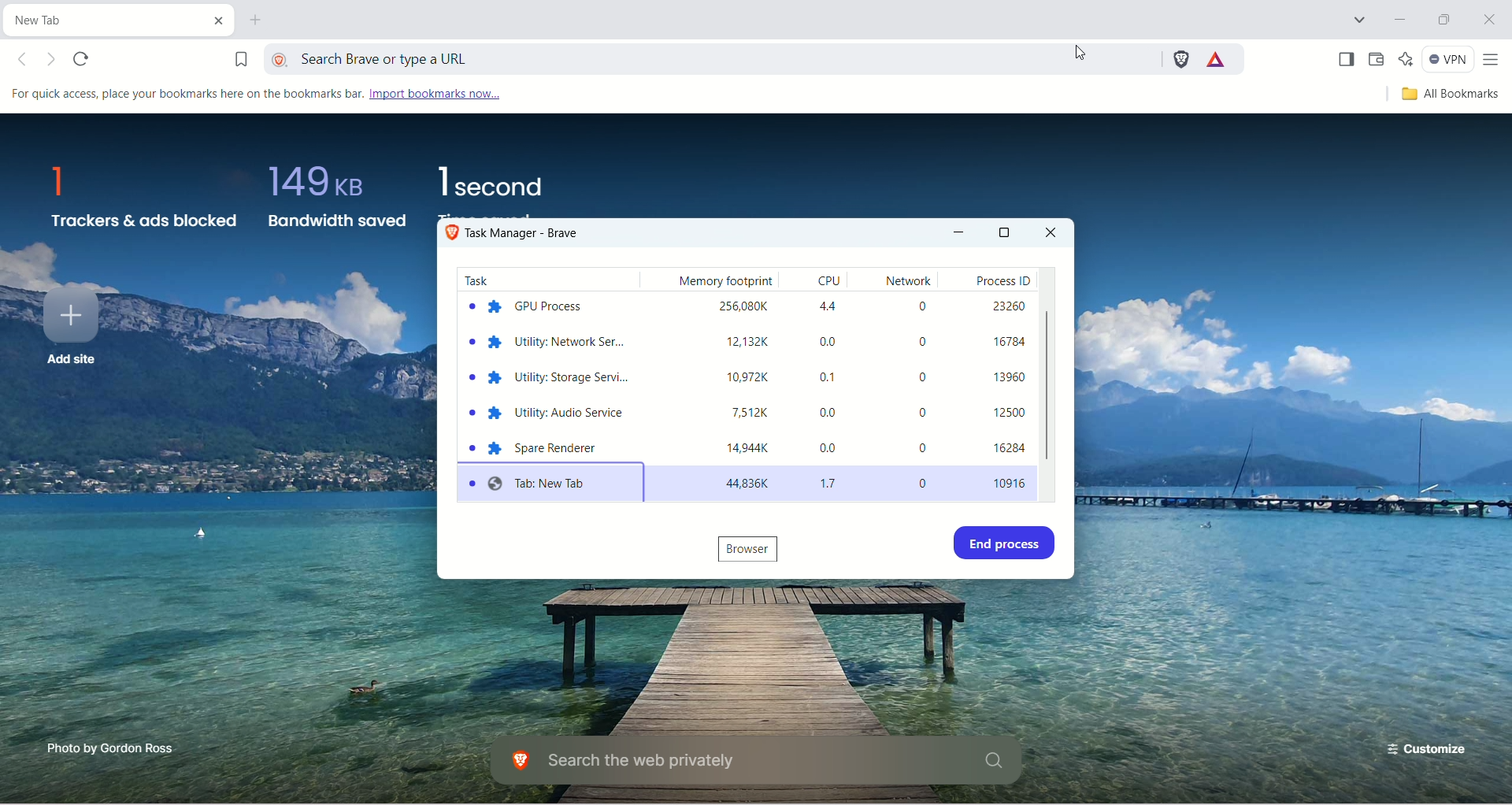 The width and height of the screenshot is (1512, 805). Describe the element at coordinates (1009, 543) in the screenshot. I see `end process` at that location.